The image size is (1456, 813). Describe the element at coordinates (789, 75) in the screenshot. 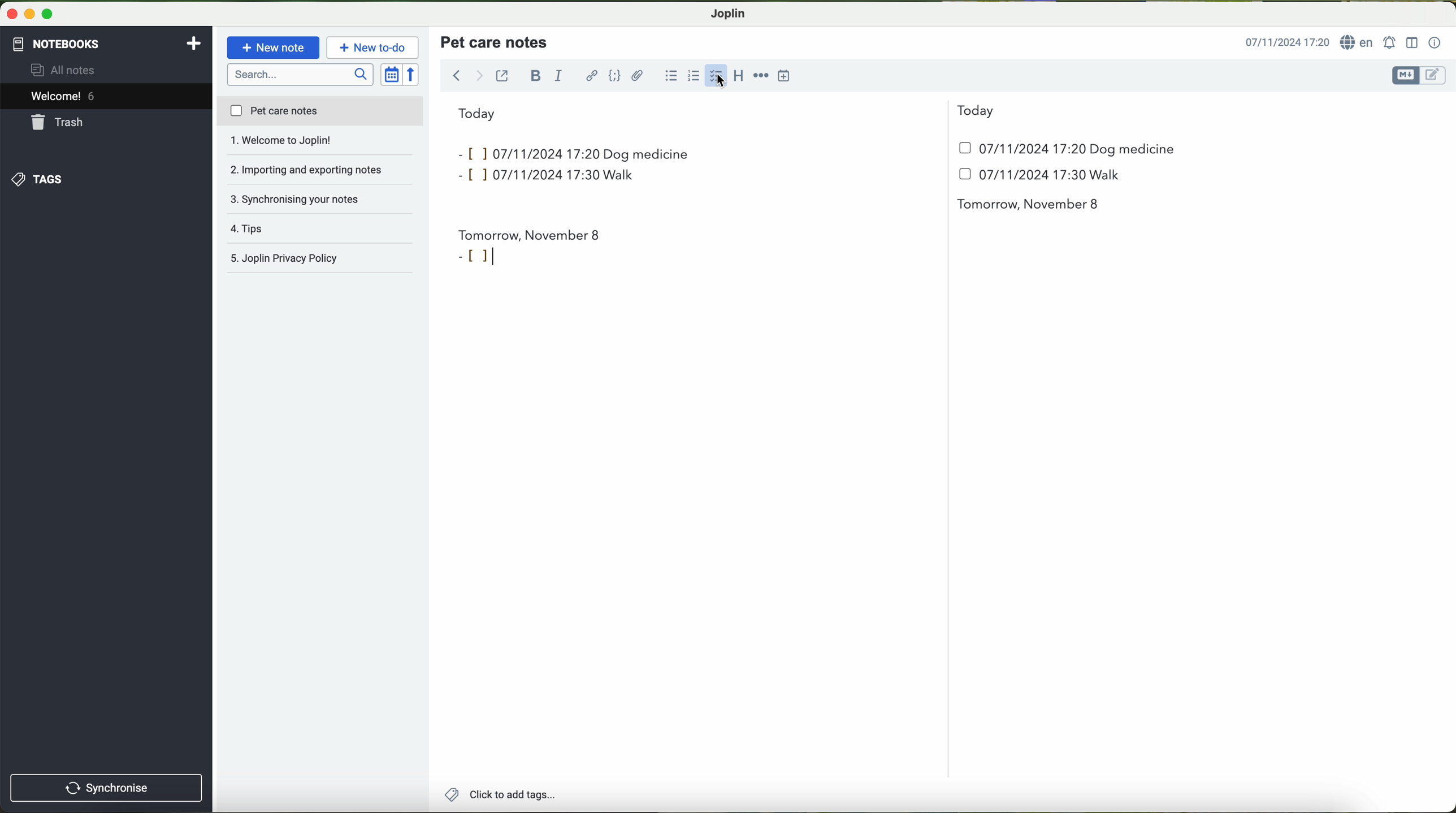

I see `insert time` at that location.